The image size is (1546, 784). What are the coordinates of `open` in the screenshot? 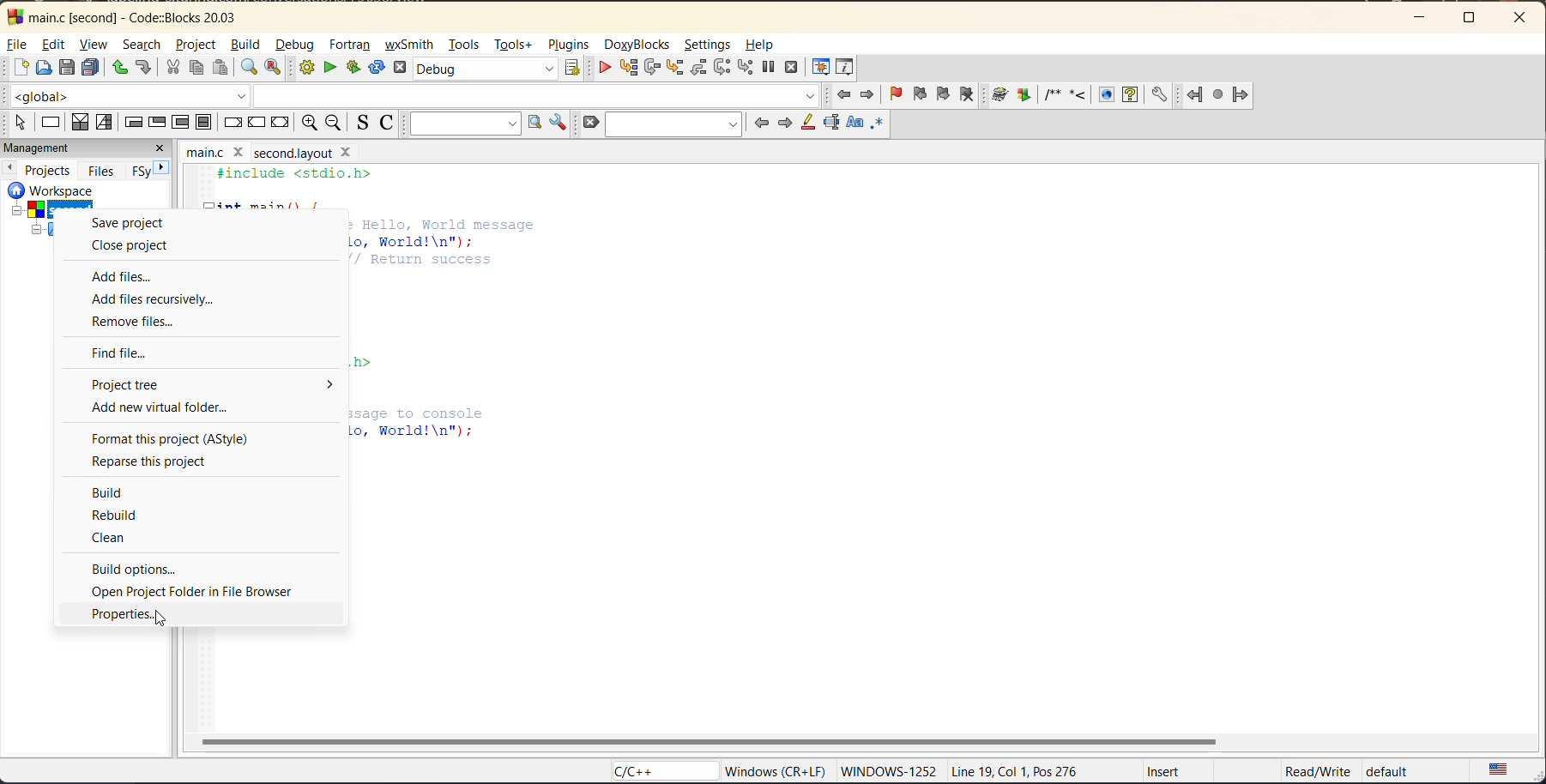 It's located at (42, 69).